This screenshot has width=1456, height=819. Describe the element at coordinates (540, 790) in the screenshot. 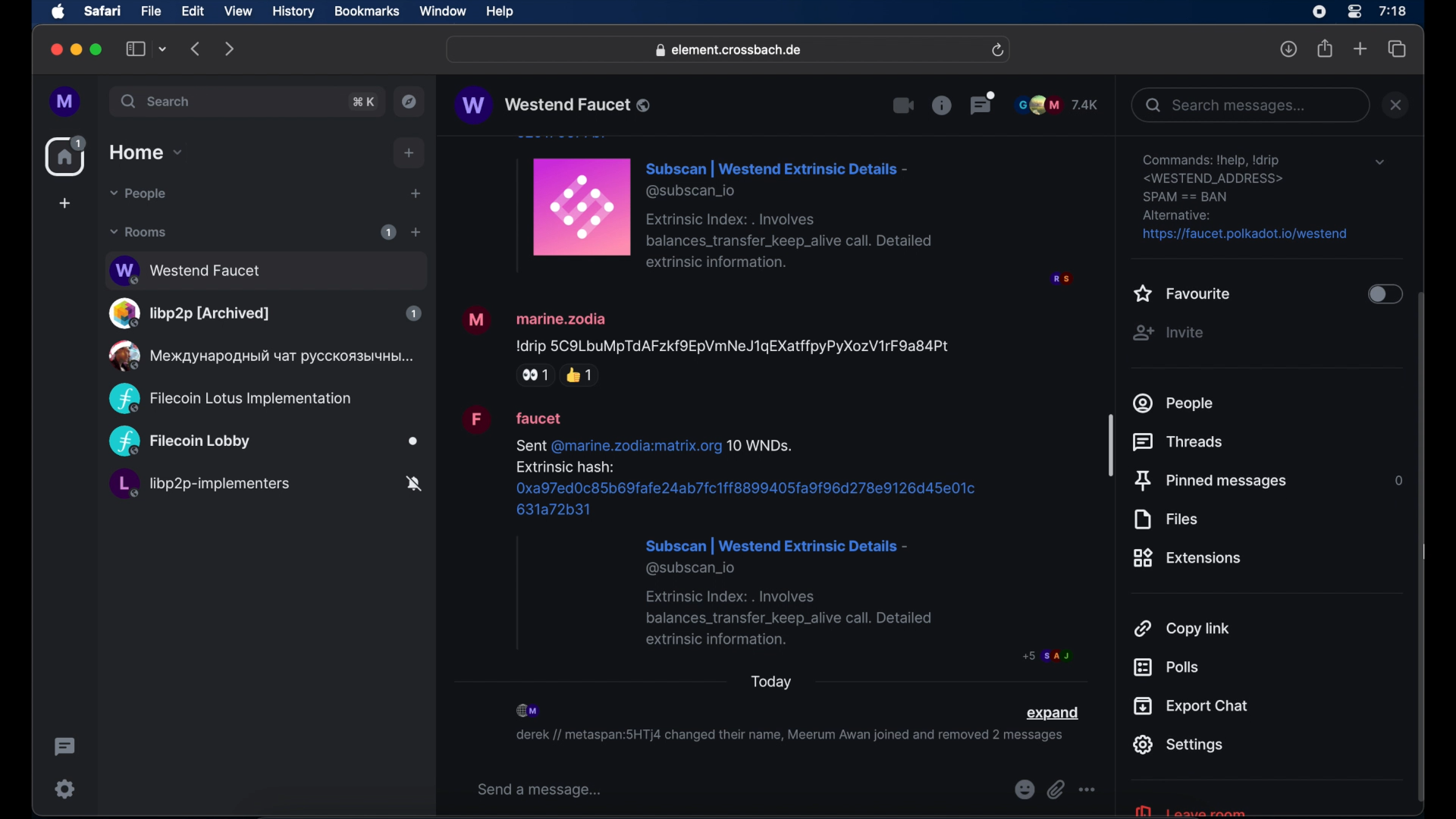

I see `send a message` at that location.